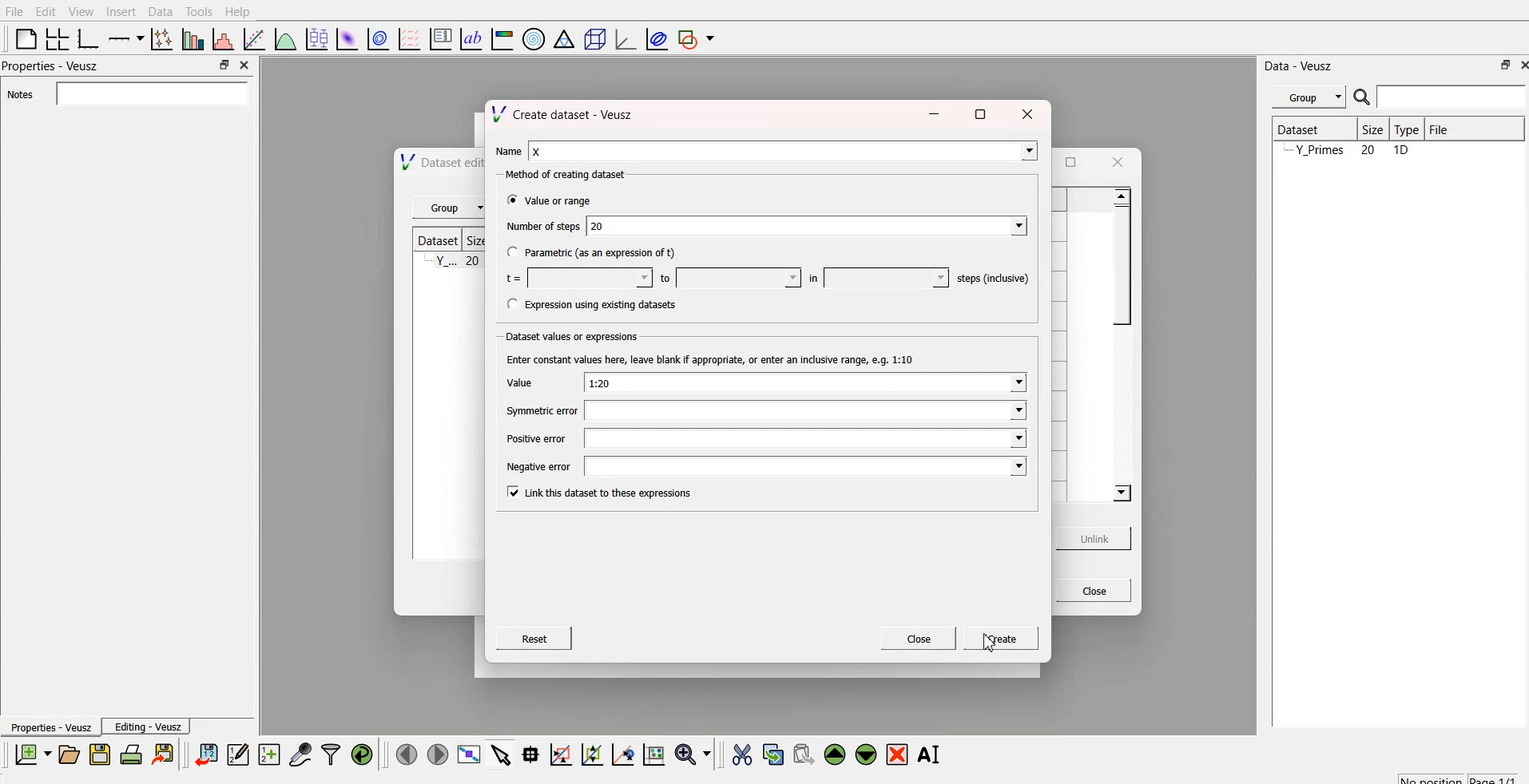 The width and height of the screenshot is (1529, 784). I want to click on move down the widget , so click(864, 754).